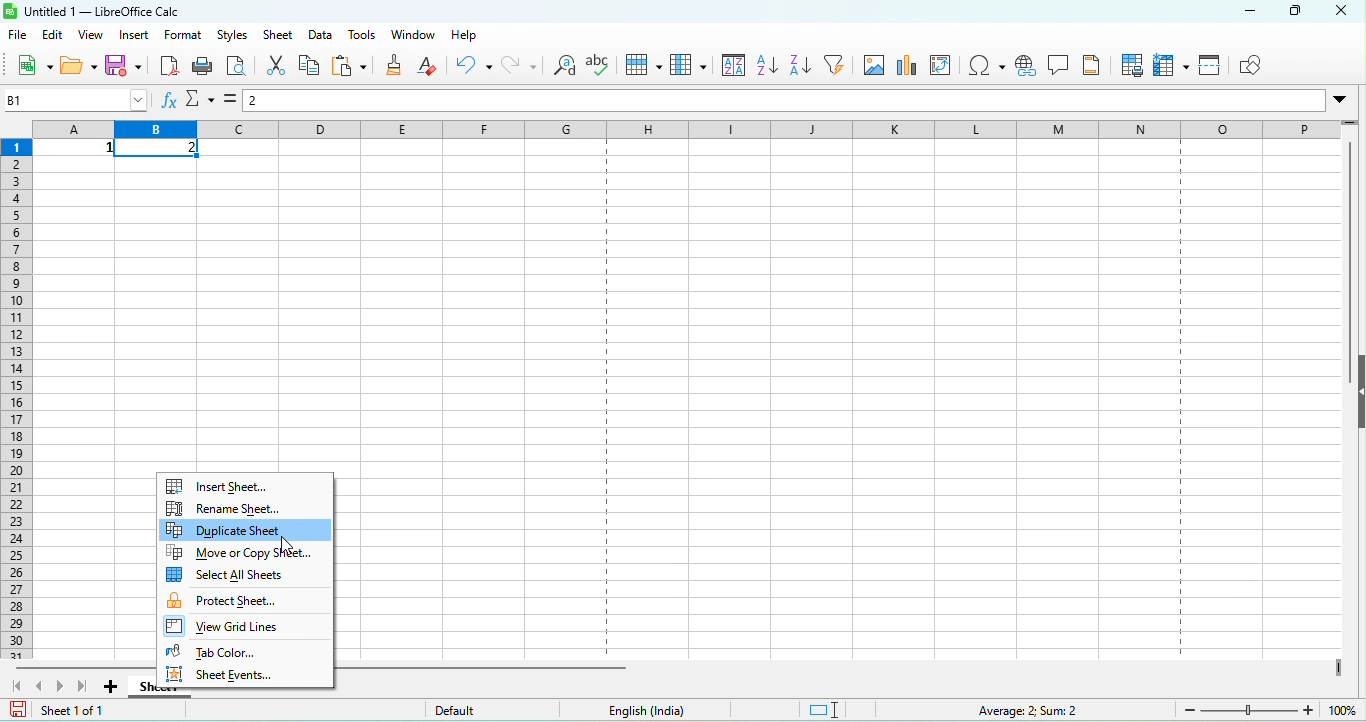 This screenshot has height=722, width=1366. What do you see at coordinates (486, 667) in the screenshot?
I see `horizontal scroll bar` at bounding box center [486, 667].